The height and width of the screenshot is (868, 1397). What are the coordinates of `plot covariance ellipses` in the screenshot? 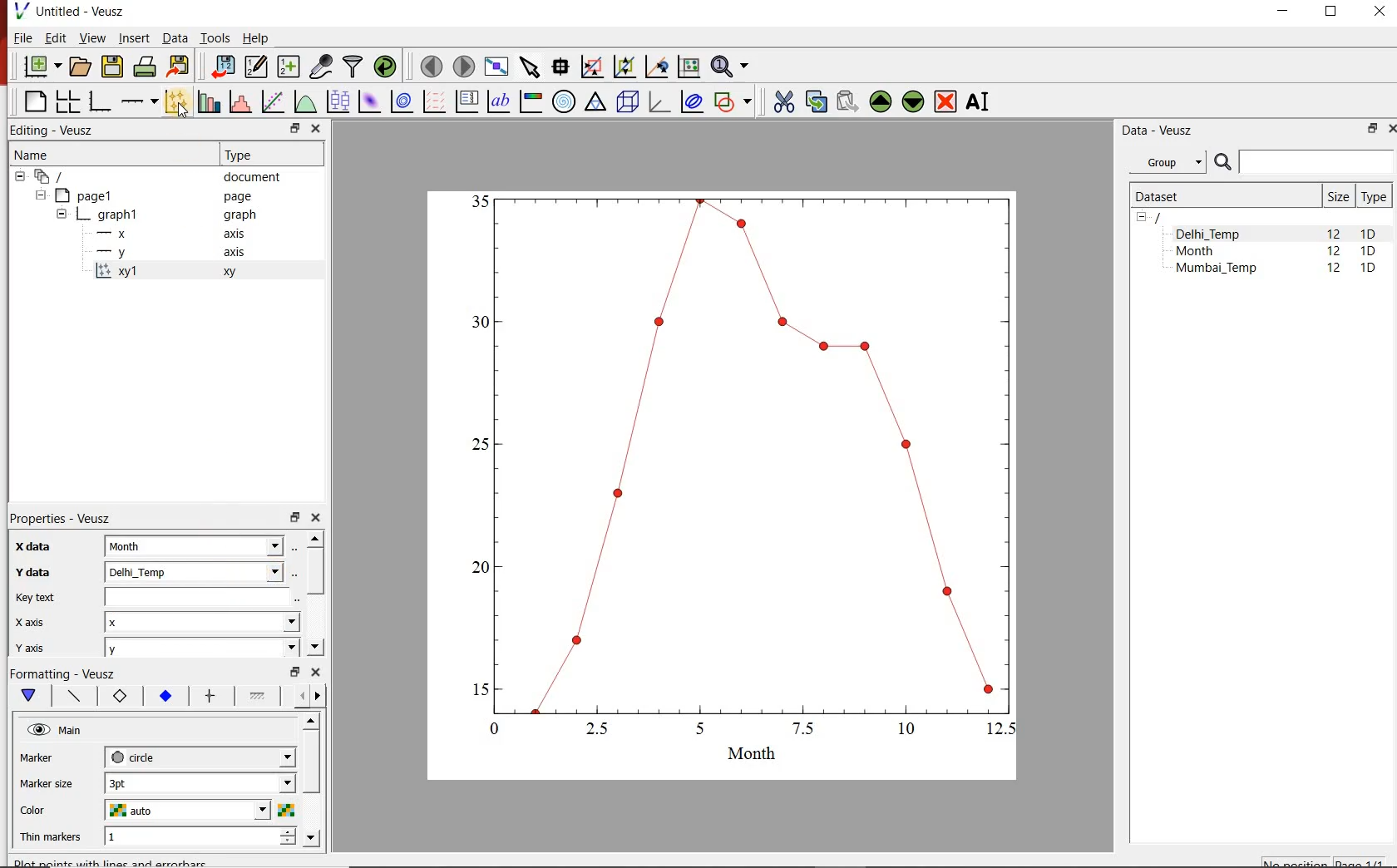 It's located at (692, 101).